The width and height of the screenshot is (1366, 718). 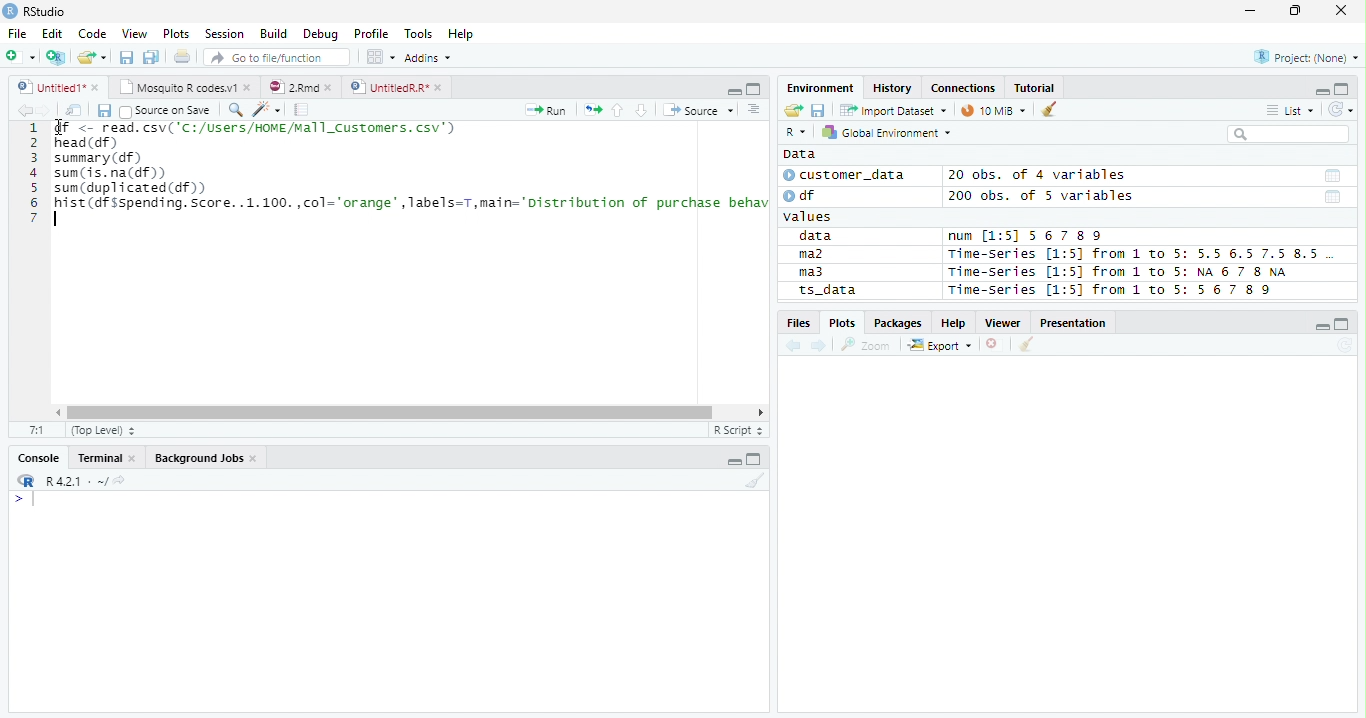 I want to click on Edit, so click(x=51, y=32).